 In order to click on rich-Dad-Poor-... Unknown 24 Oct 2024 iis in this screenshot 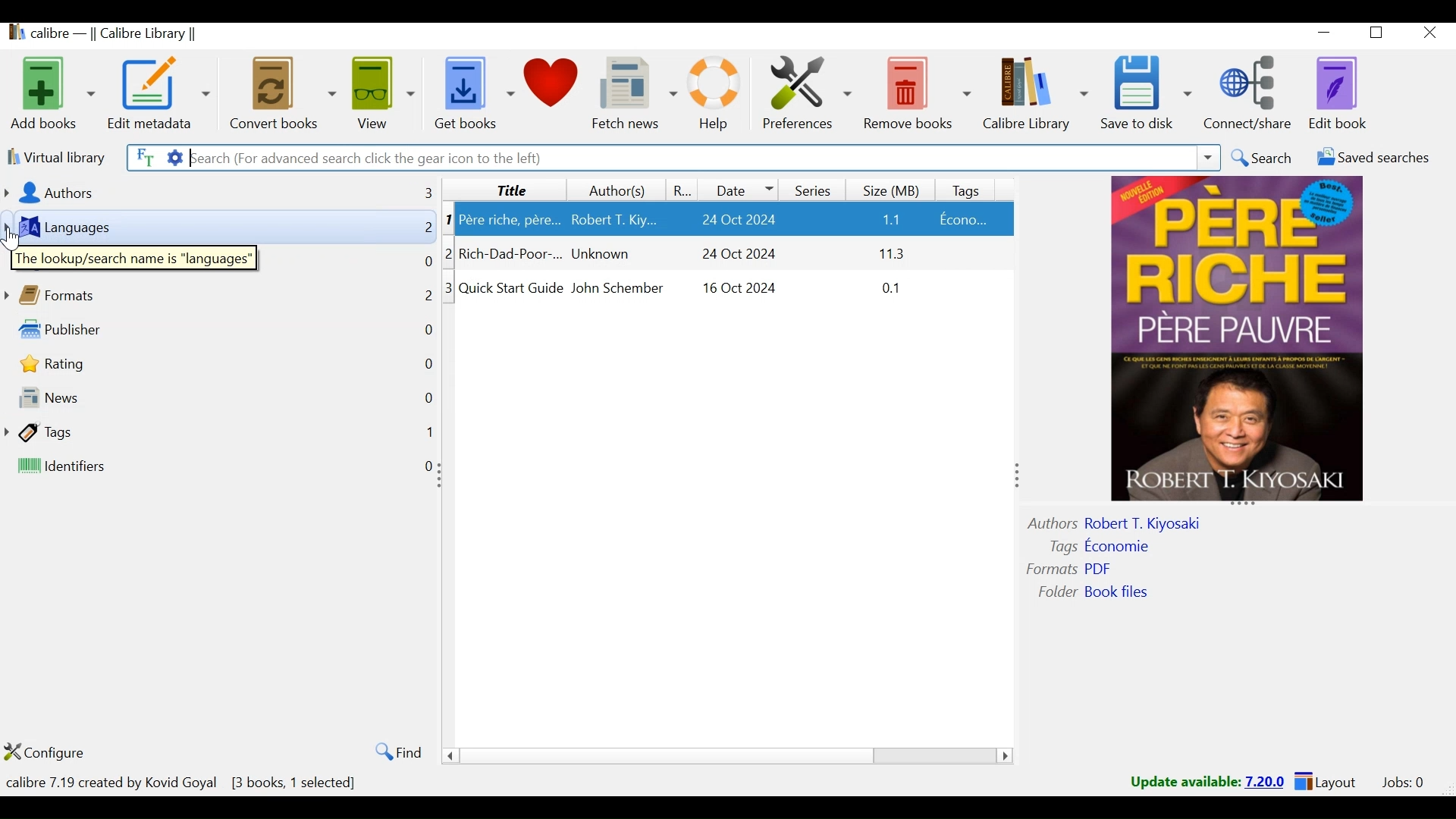, I will do `click(735, 256)`.